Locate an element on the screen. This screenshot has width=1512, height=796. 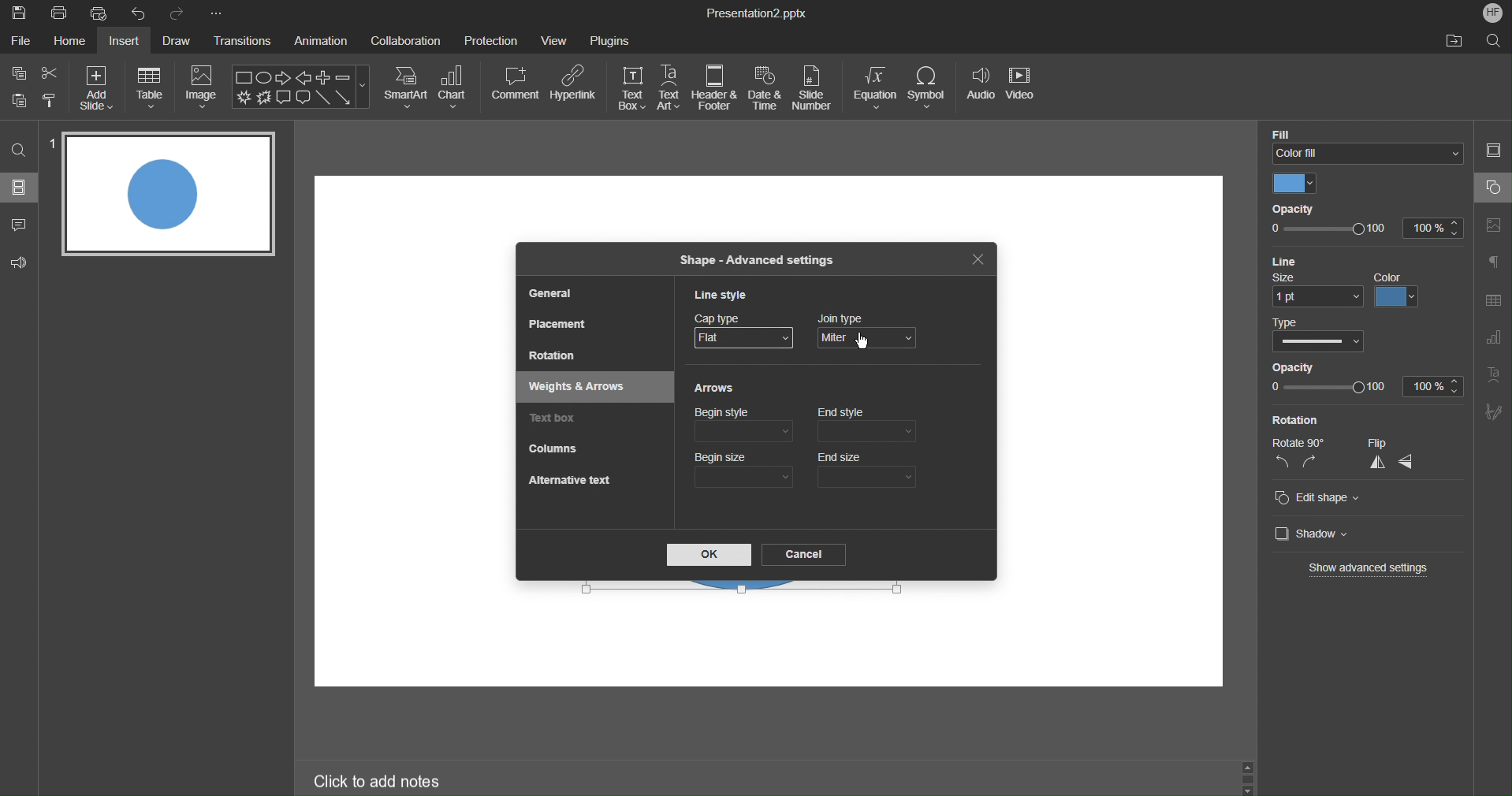
Open File Location is located at coordinates (1454, 42).